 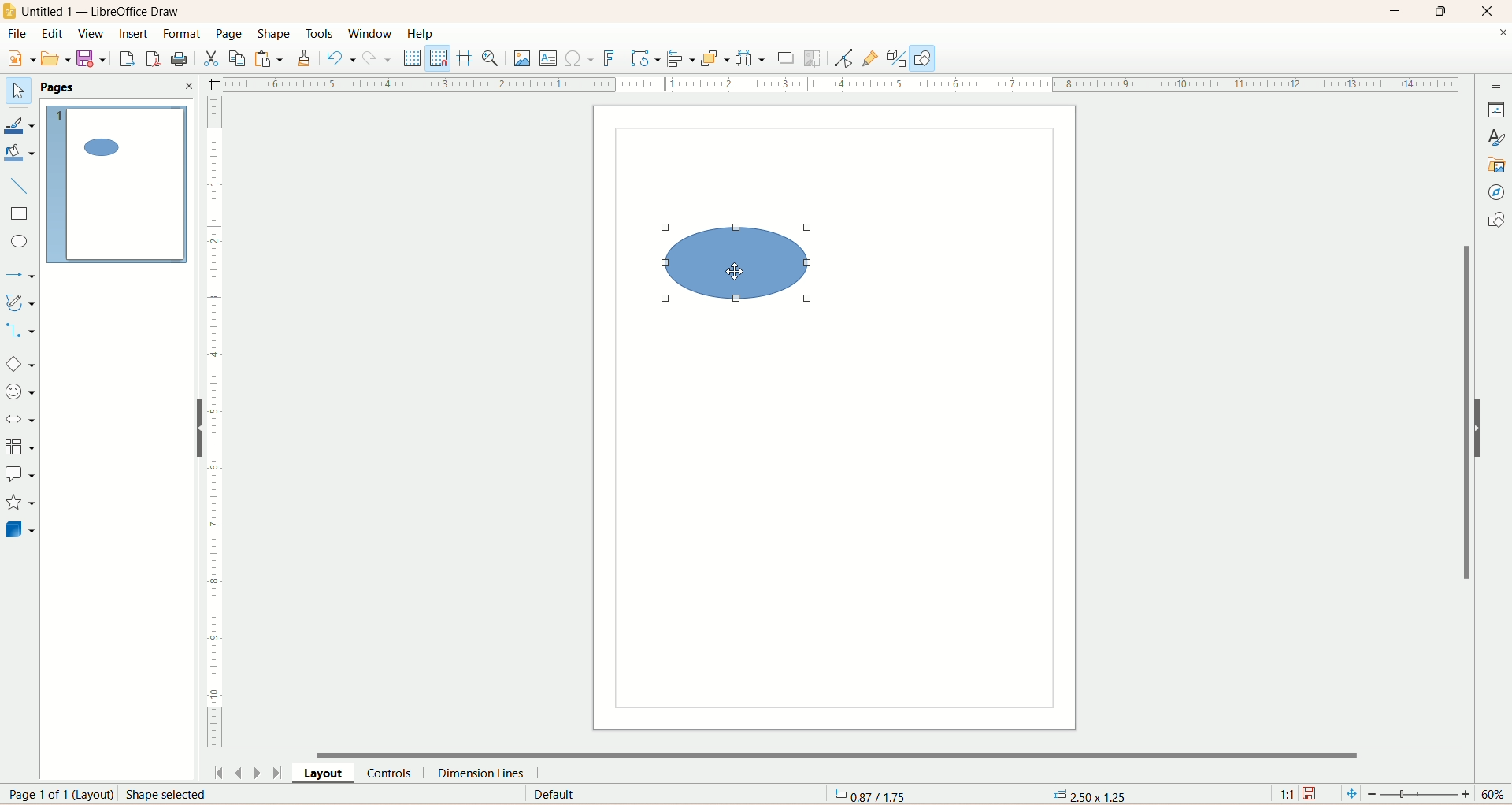 What do you see at coordinates (19, 185) in the screenshot?
I see `insert line` at bounding box center [19, 185].